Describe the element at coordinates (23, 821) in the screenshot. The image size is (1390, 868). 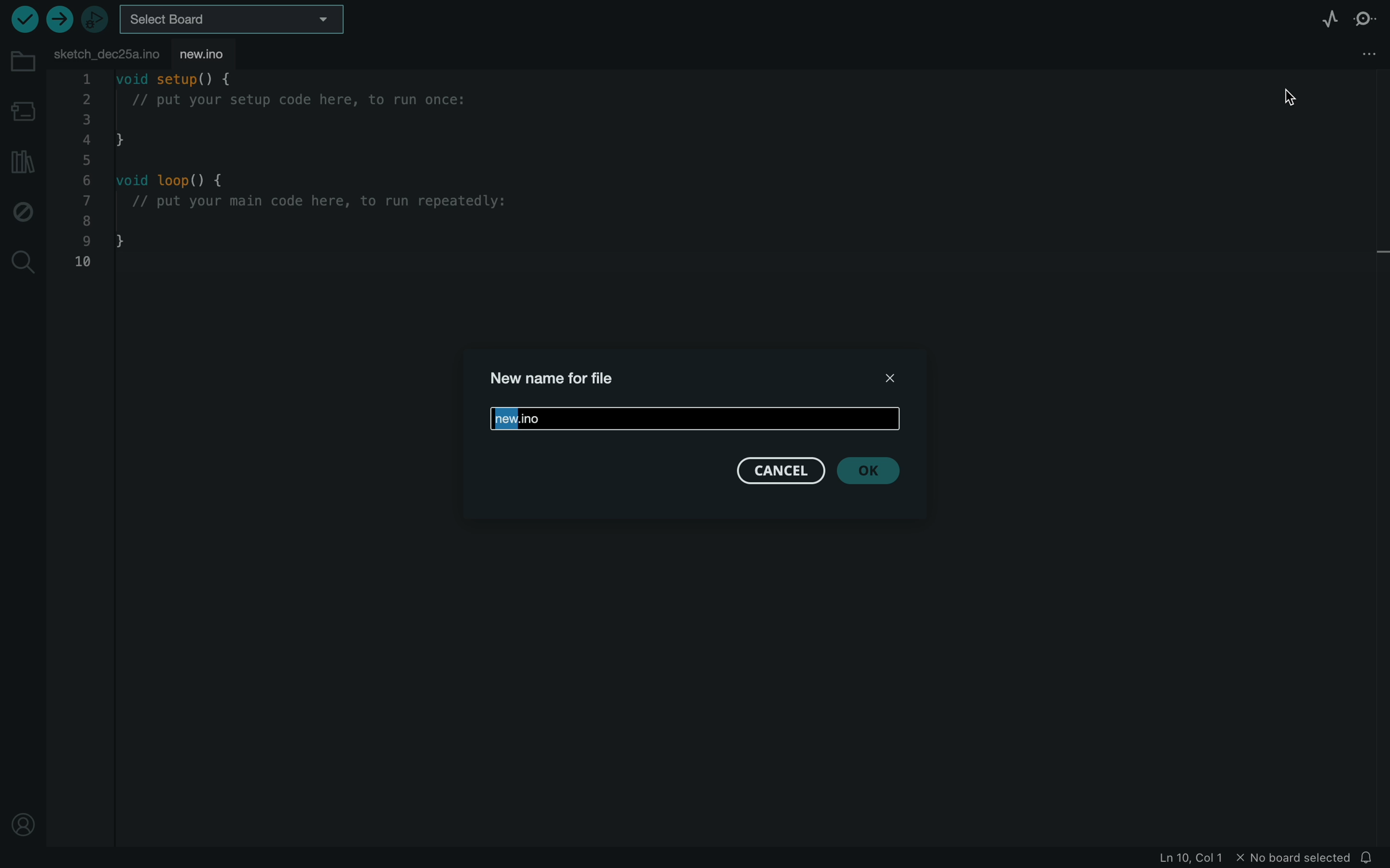
I see `profile` at that location.